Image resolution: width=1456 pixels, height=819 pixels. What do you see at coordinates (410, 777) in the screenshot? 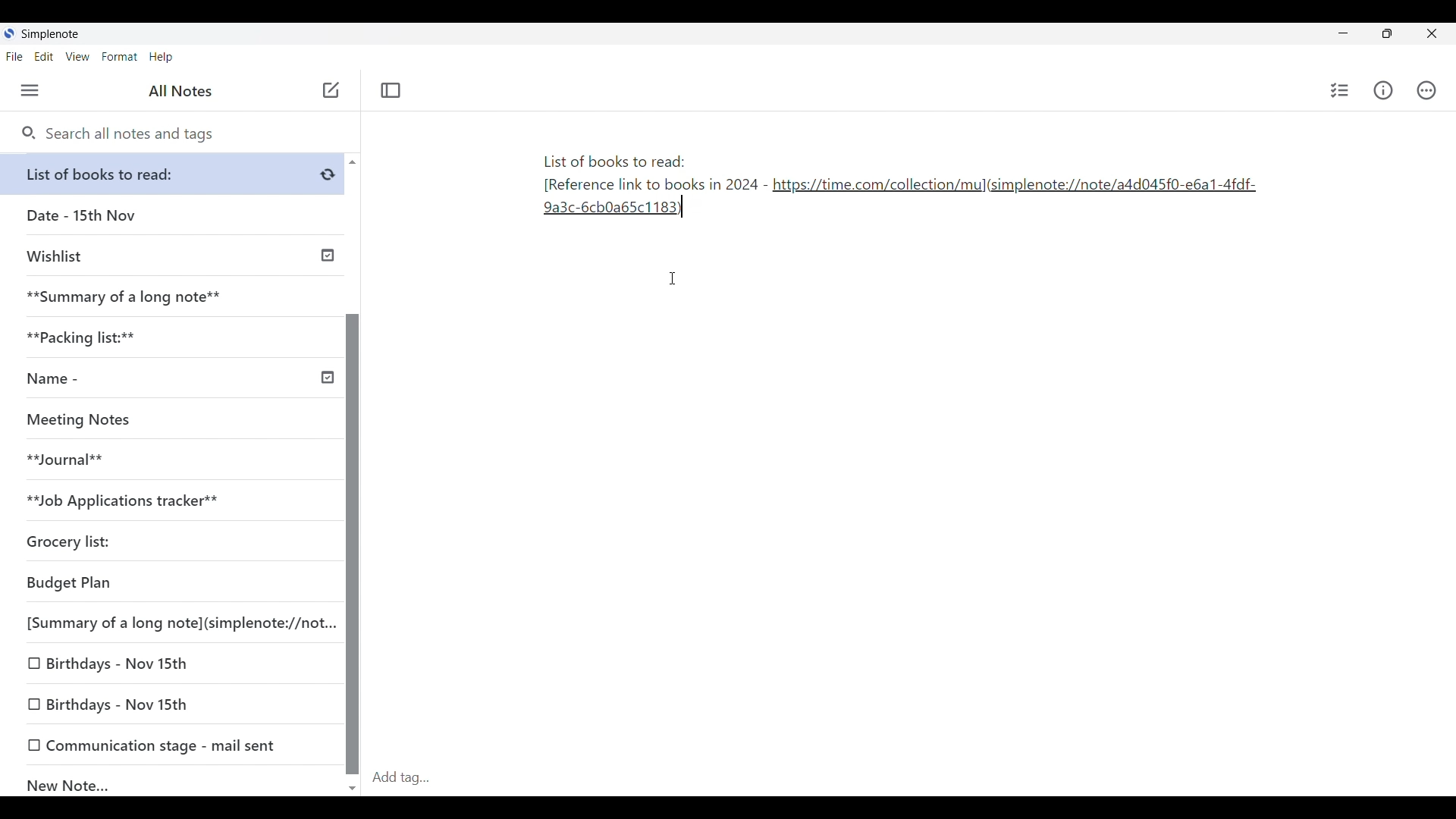
I see `Add tag...` at bounding box center [410, 777].